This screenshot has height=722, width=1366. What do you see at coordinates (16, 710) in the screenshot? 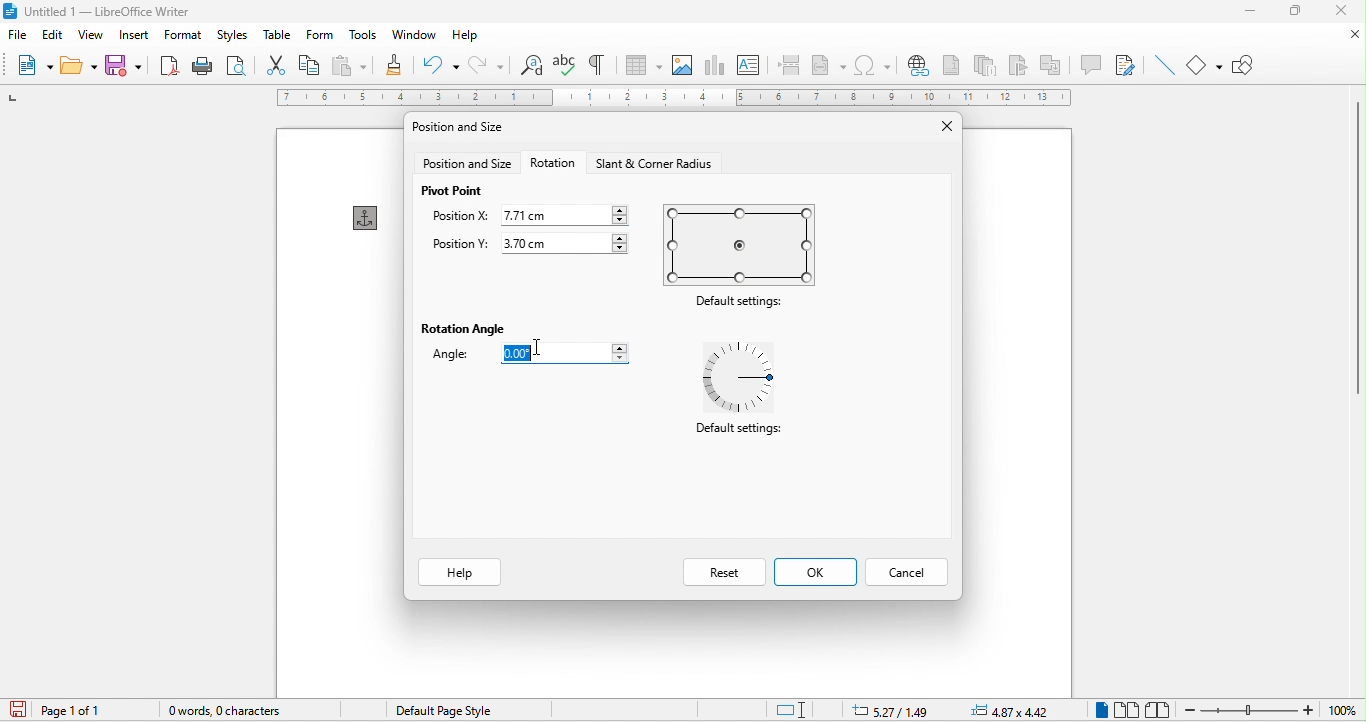
I see `click to save the document` at bounding box center [16, 710].